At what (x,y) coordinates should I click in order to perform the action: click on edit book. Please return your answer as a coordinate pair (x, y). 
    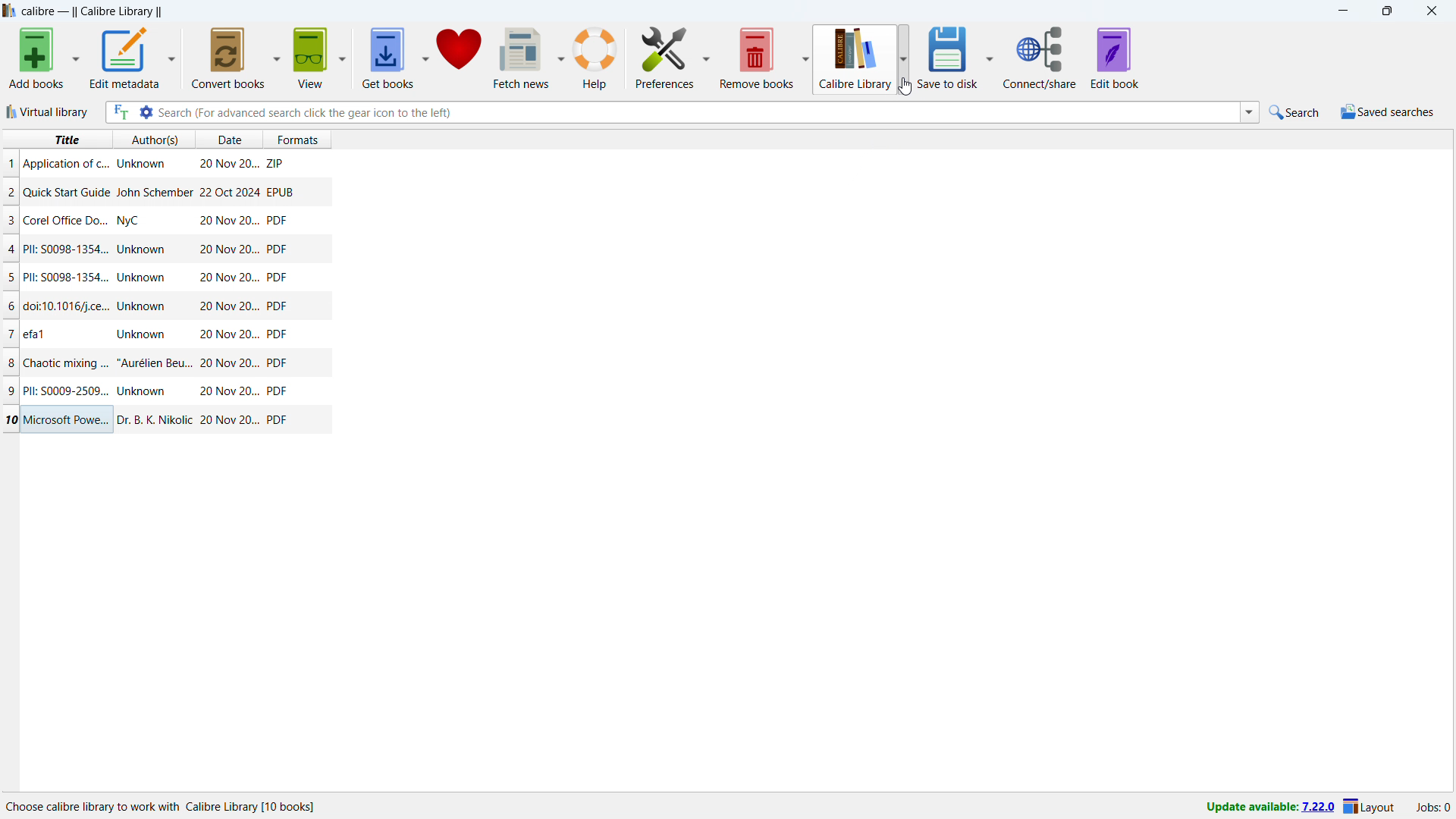
    Looking at the image, I should click on (1116, 58).